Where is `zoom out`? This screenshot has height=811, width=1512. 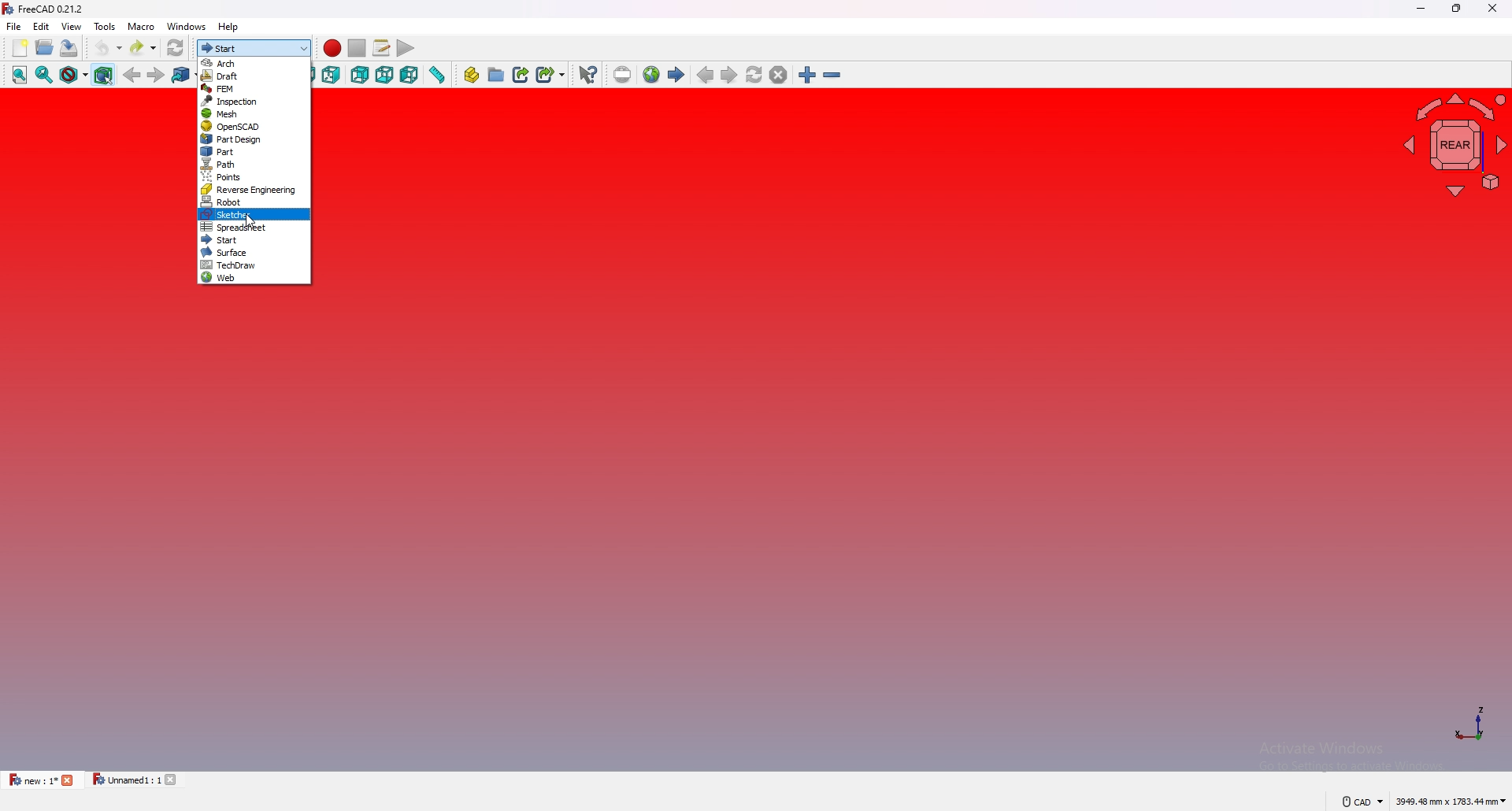
zoom out is located at coordinates (833, 74).